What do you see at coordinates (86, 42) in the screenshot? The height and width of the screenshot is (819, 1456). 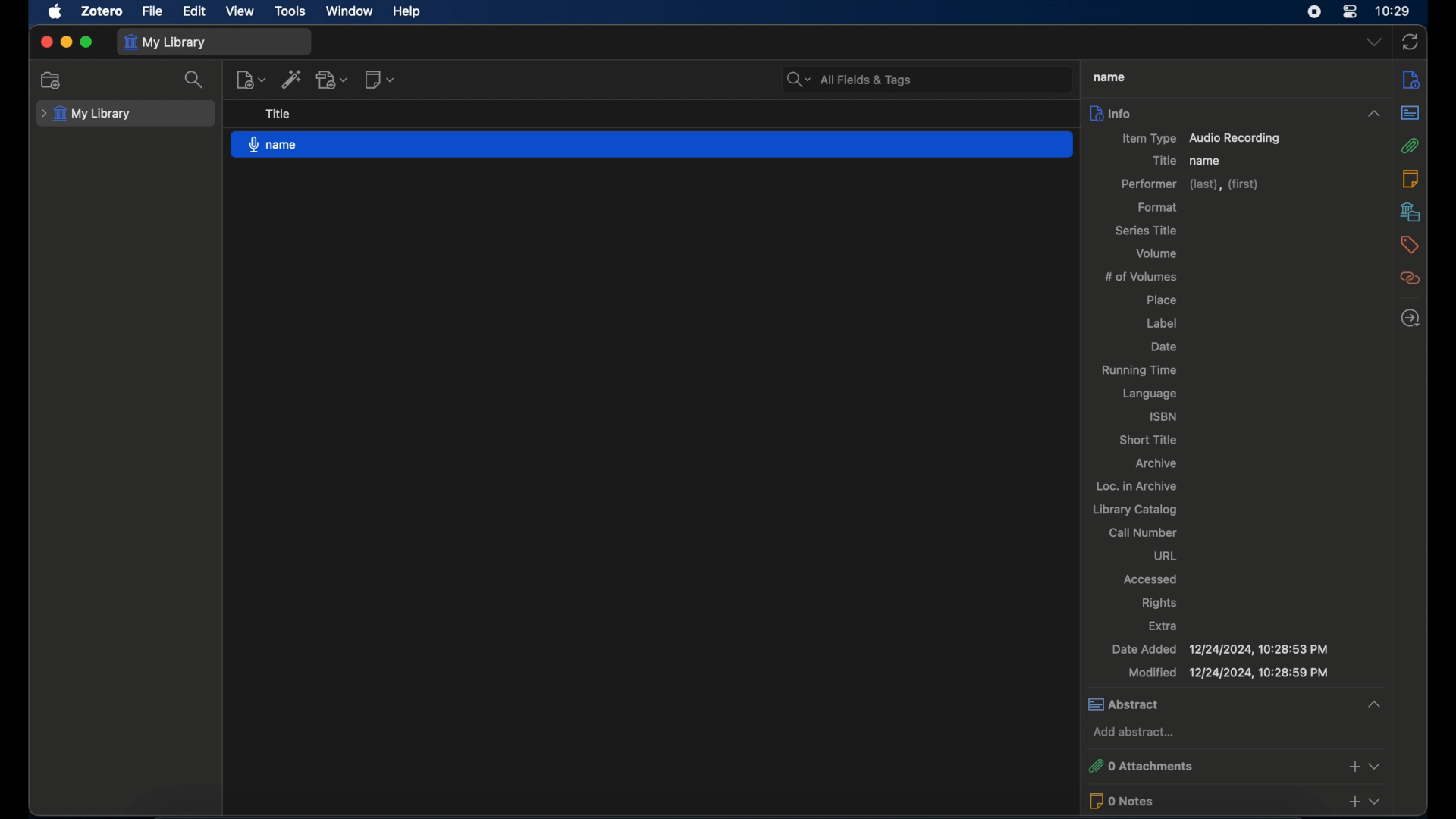 I see `maximize` at bounding box center [86, 42].